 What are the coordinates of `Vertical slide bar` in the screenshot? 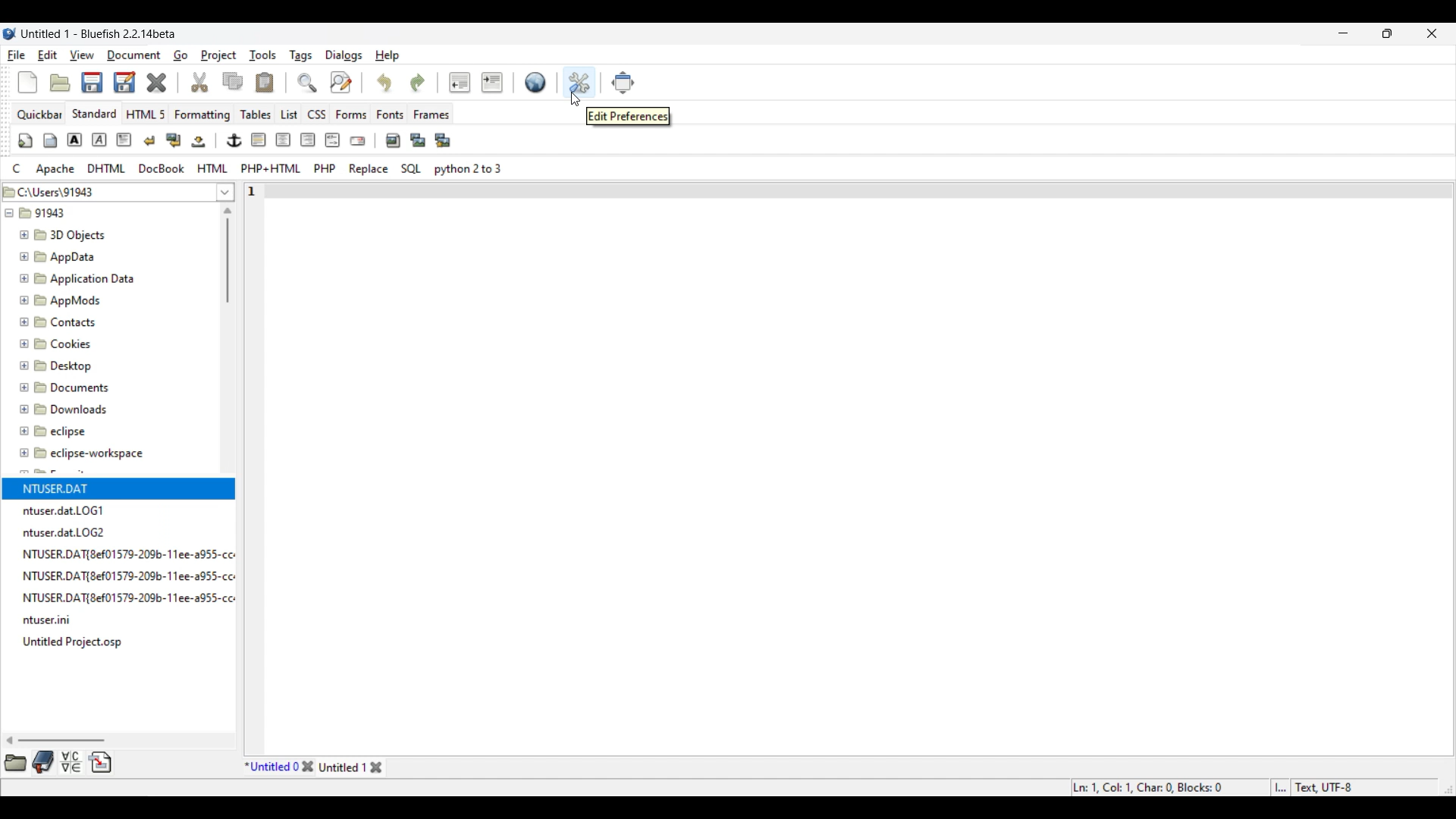 It's located at (227, 255).